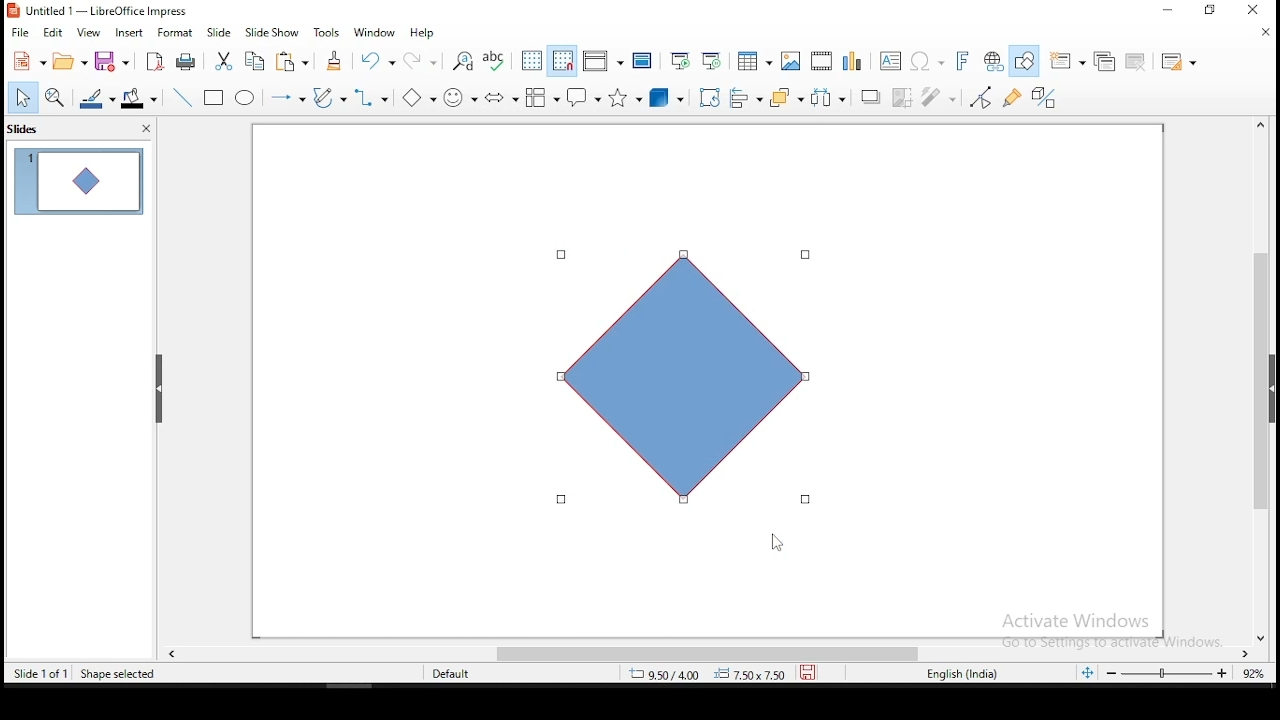 Image resolution: width=1280 pixels, height=720 pixels. Describe the element at coordinates (1013, 98) in the screenshot. I see `show gluepoint functions` at that location.